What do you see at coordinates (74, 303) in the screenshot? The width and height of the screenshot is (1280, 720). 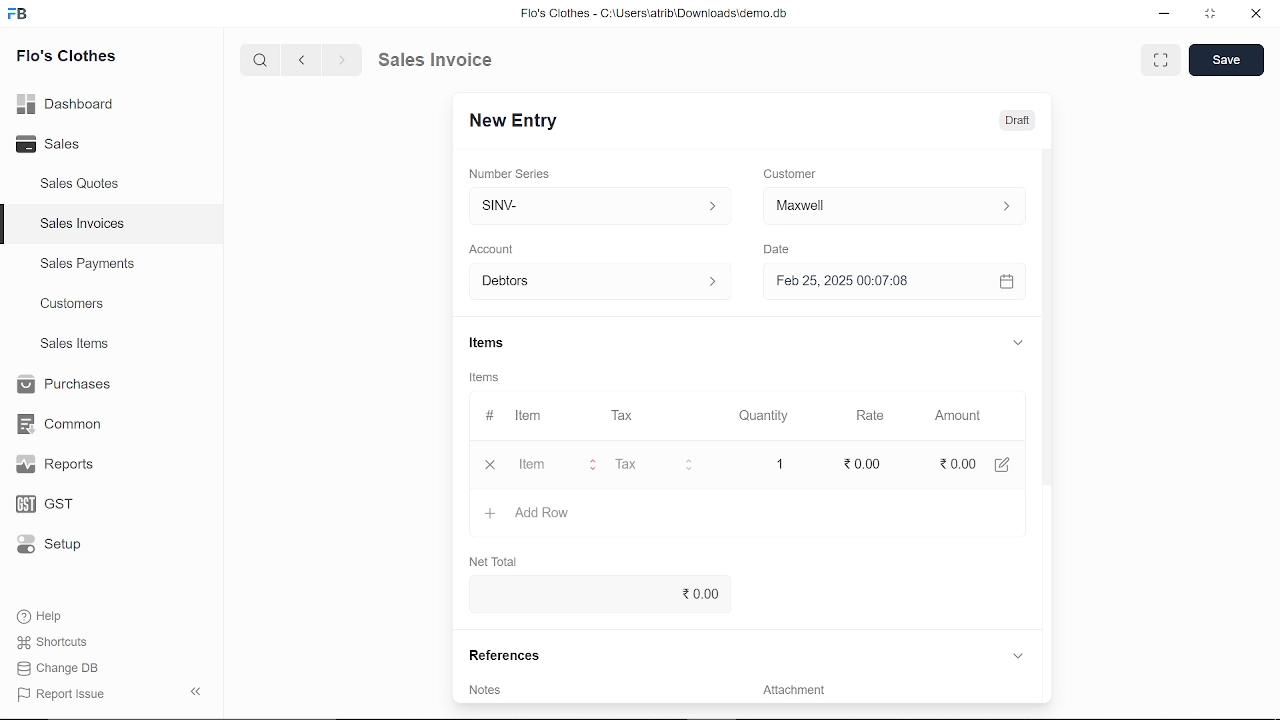 I see `Customers` at bounding box center [74, 303].